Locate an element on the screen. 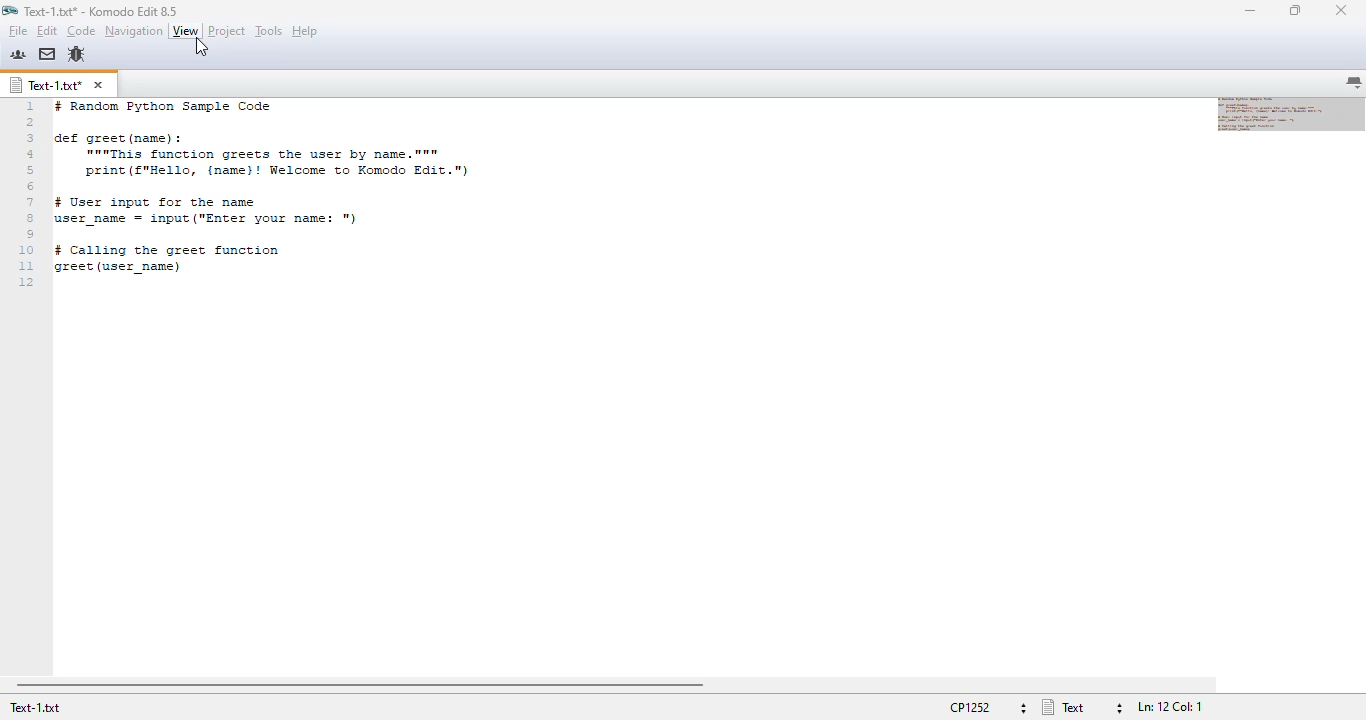  file encoding is located at coordinates (986, 708).